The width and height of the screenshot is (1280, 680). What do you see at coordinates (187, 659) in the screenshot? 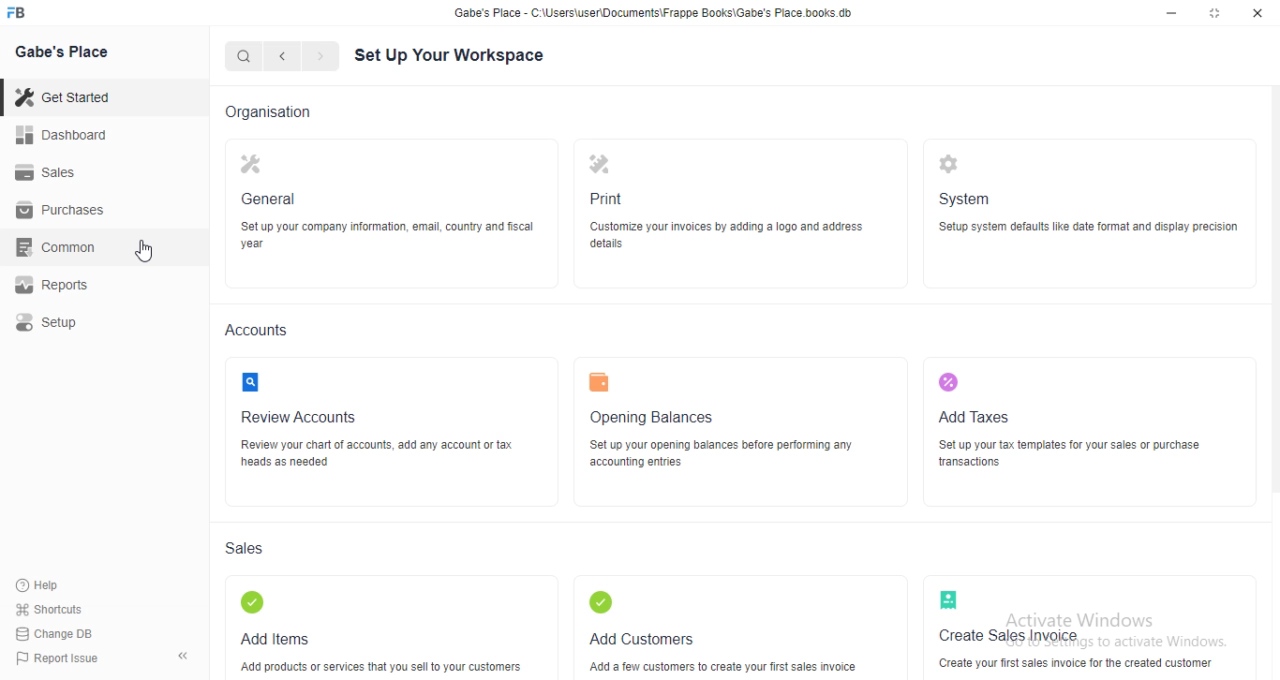
I see `collapse` at bounding box center [187, 659].